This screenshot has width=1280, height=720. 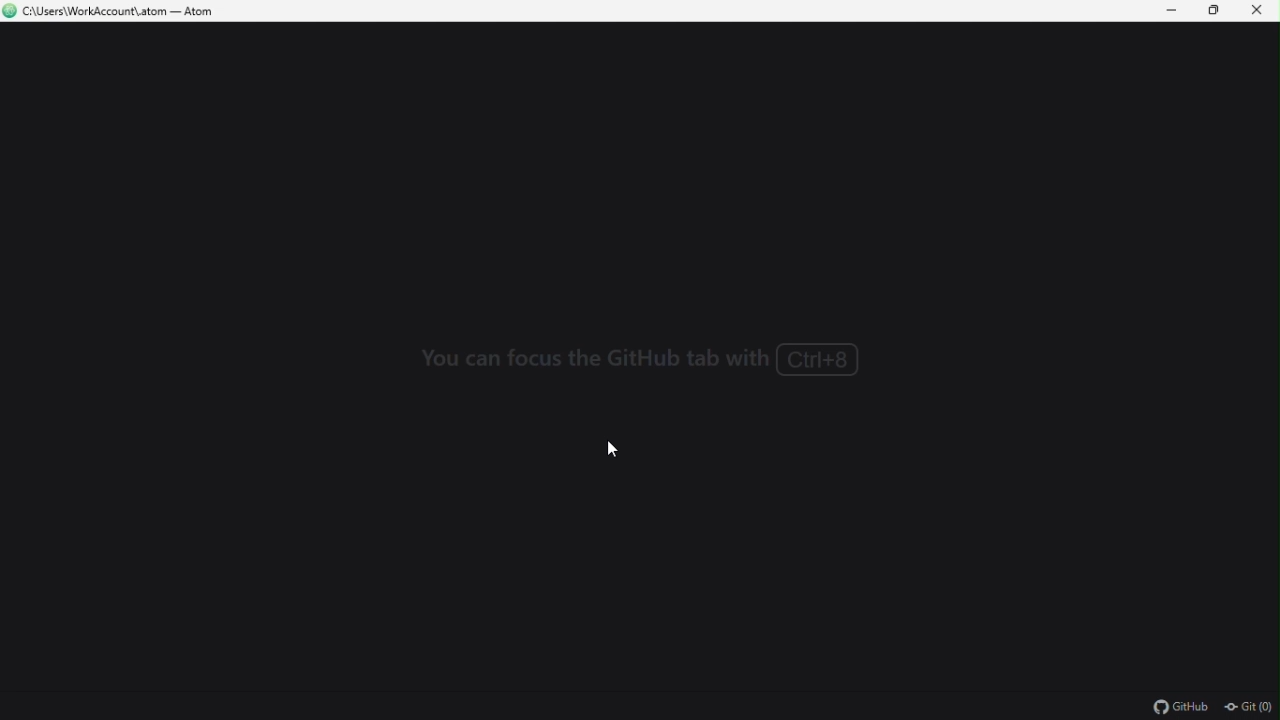 I want to click on restore, so click(x=1215, y=11).